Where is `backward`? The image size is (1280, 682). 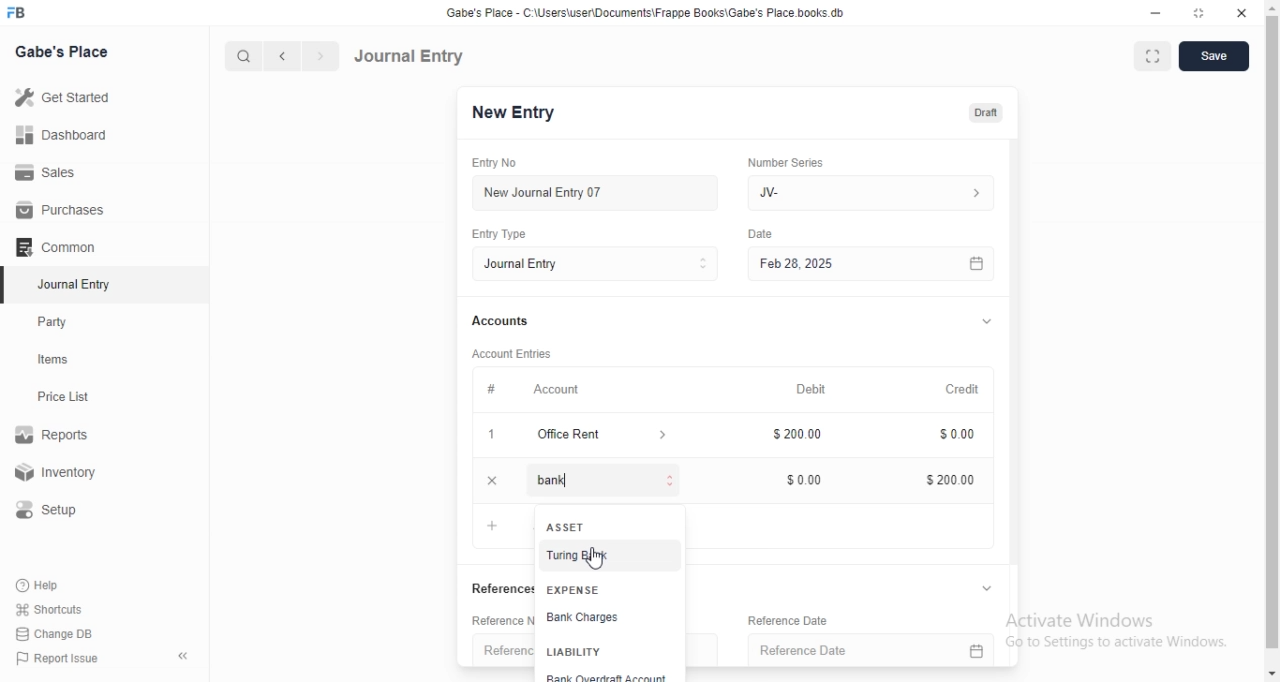 backward is located at coordinates (281, 56).